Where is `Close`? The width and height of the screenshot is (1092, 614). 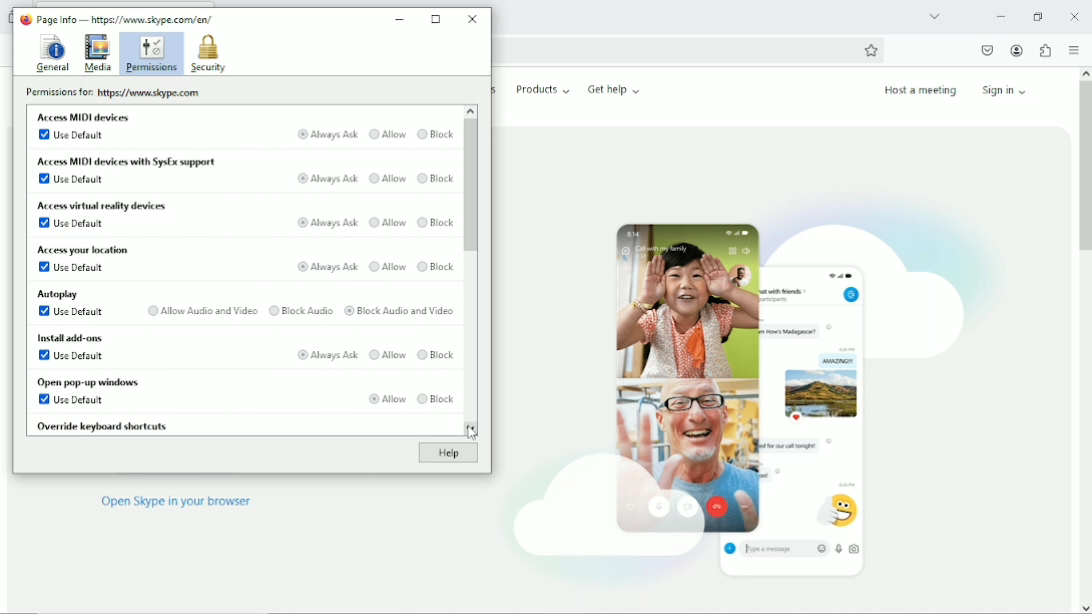 Close is located at coordinates (472, 18).